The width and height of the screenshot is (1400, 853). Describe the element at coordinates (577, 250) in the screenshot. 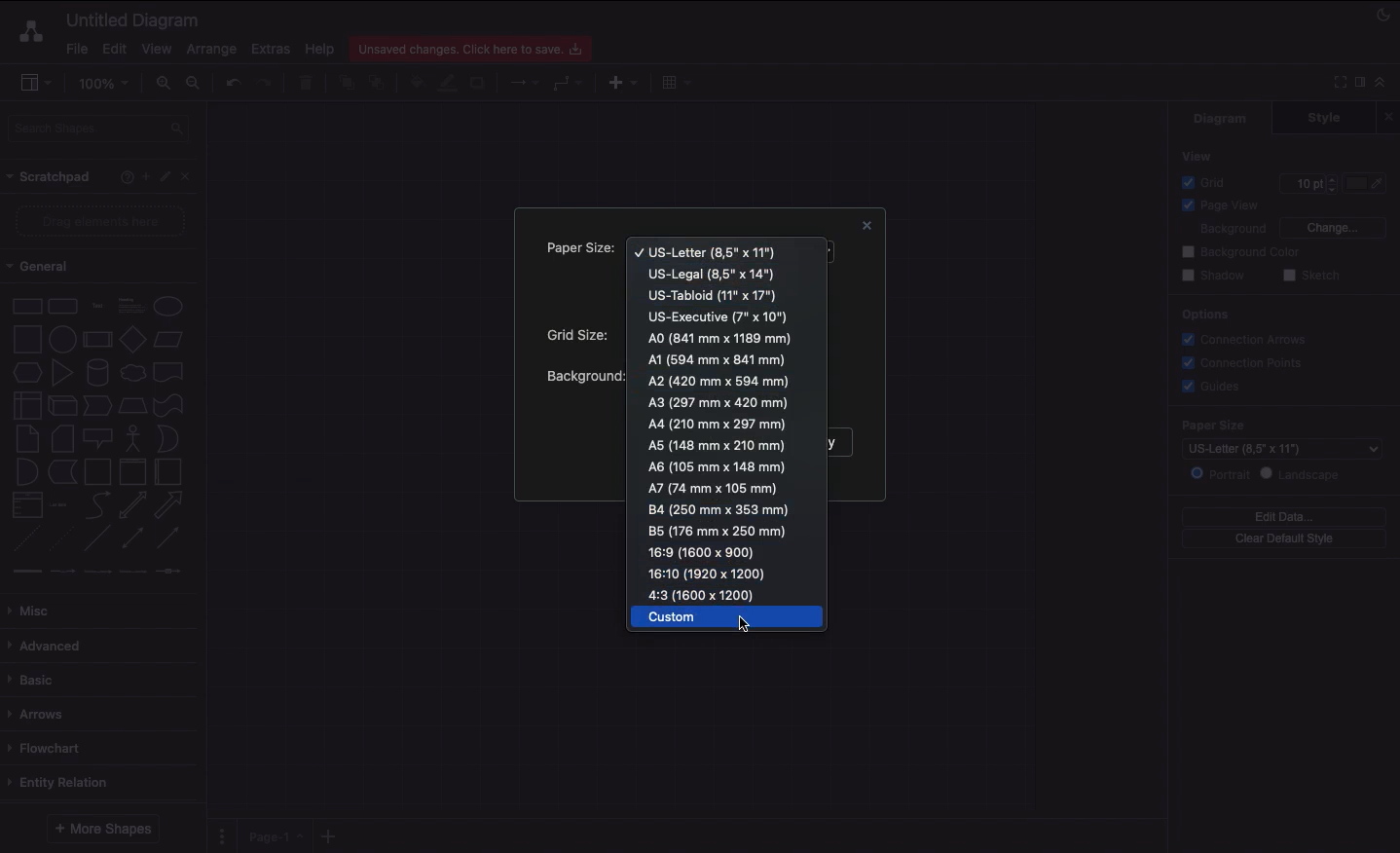

I see `Paper size` at that location.